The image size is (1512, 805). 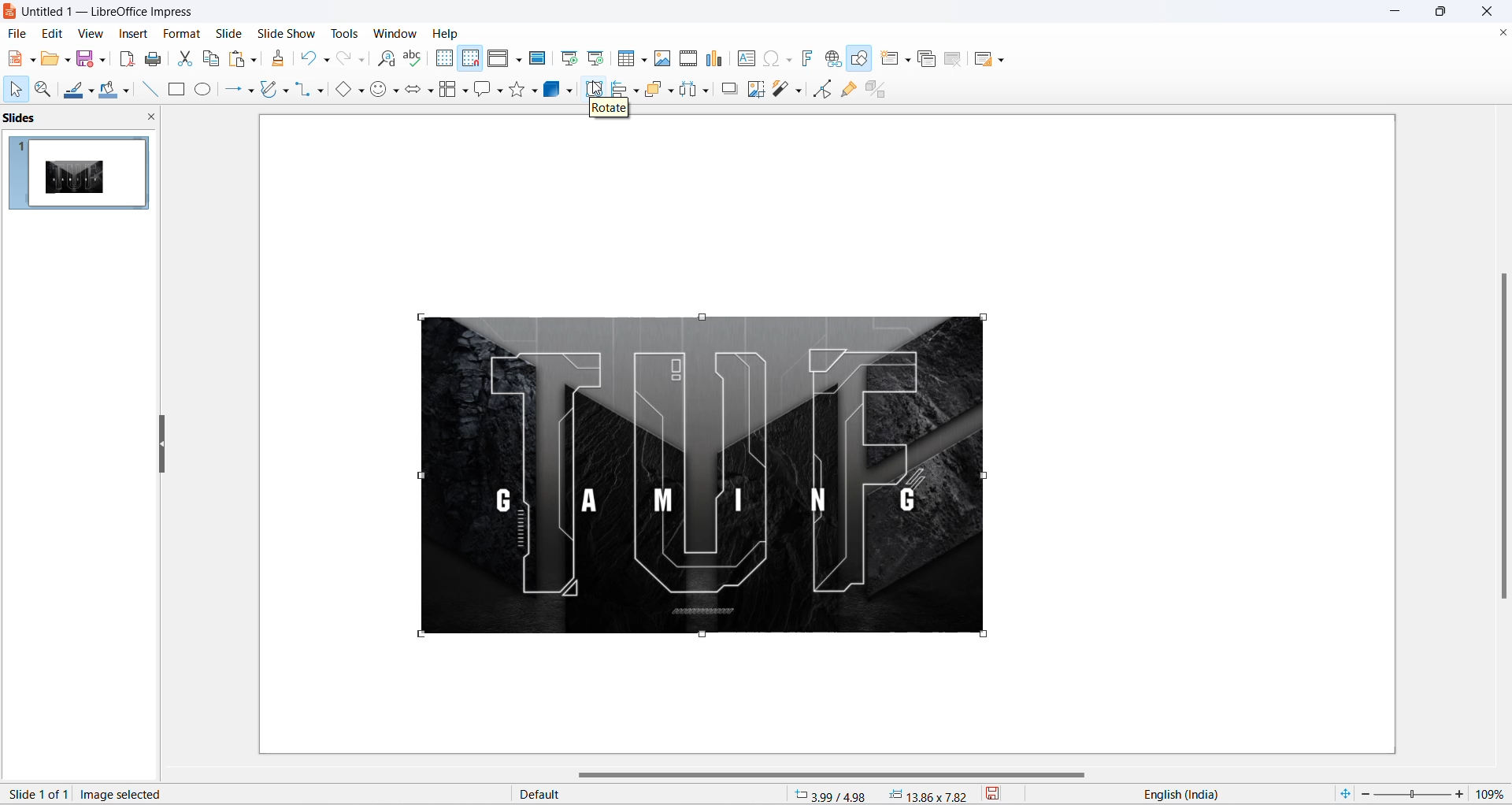 What do you see at coordinates (103, 58) in the screenshot?
I see `save options` at bounding box center [103, 58].